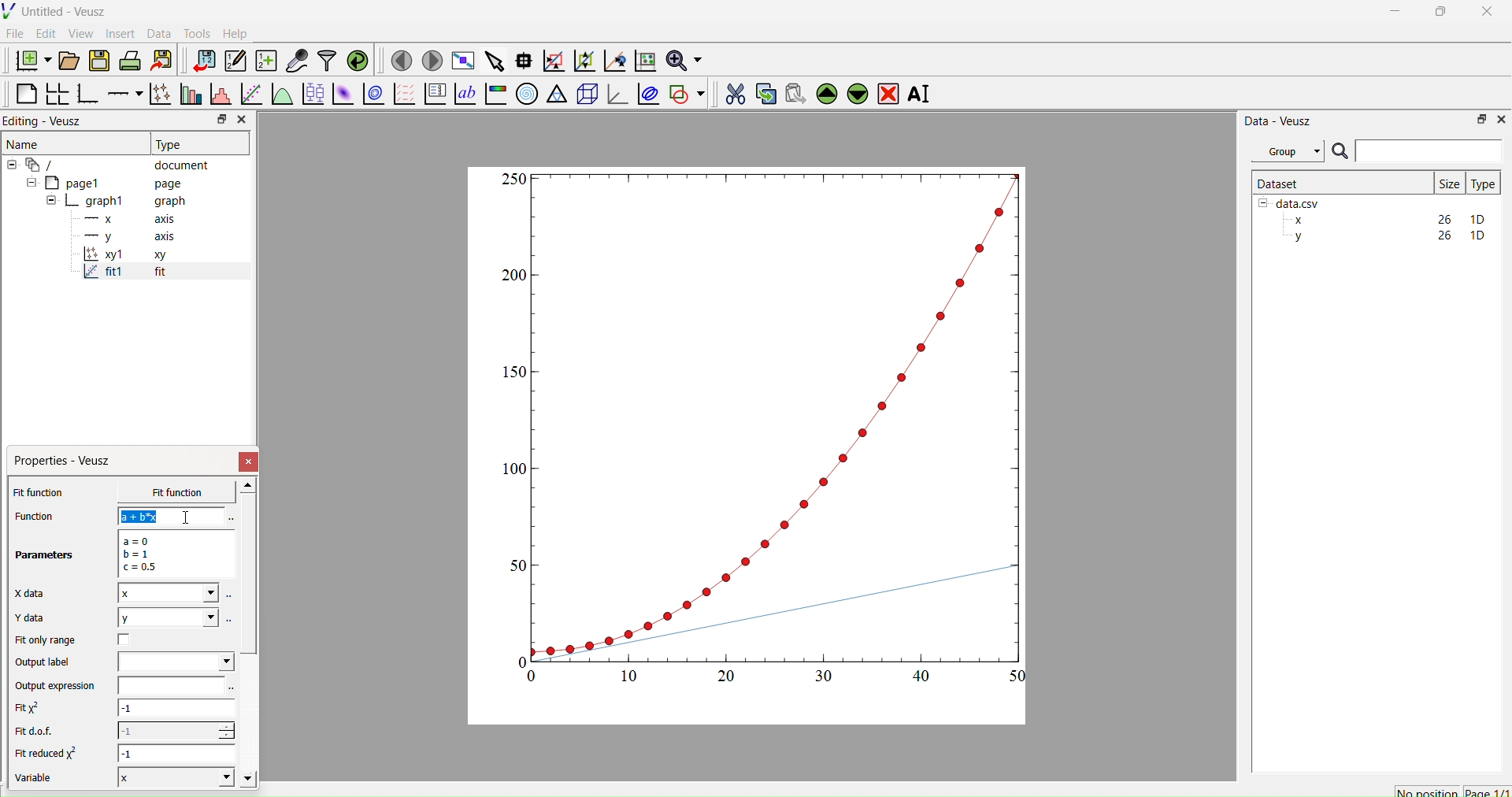  I want to click on Fit function, so click(40, 492).